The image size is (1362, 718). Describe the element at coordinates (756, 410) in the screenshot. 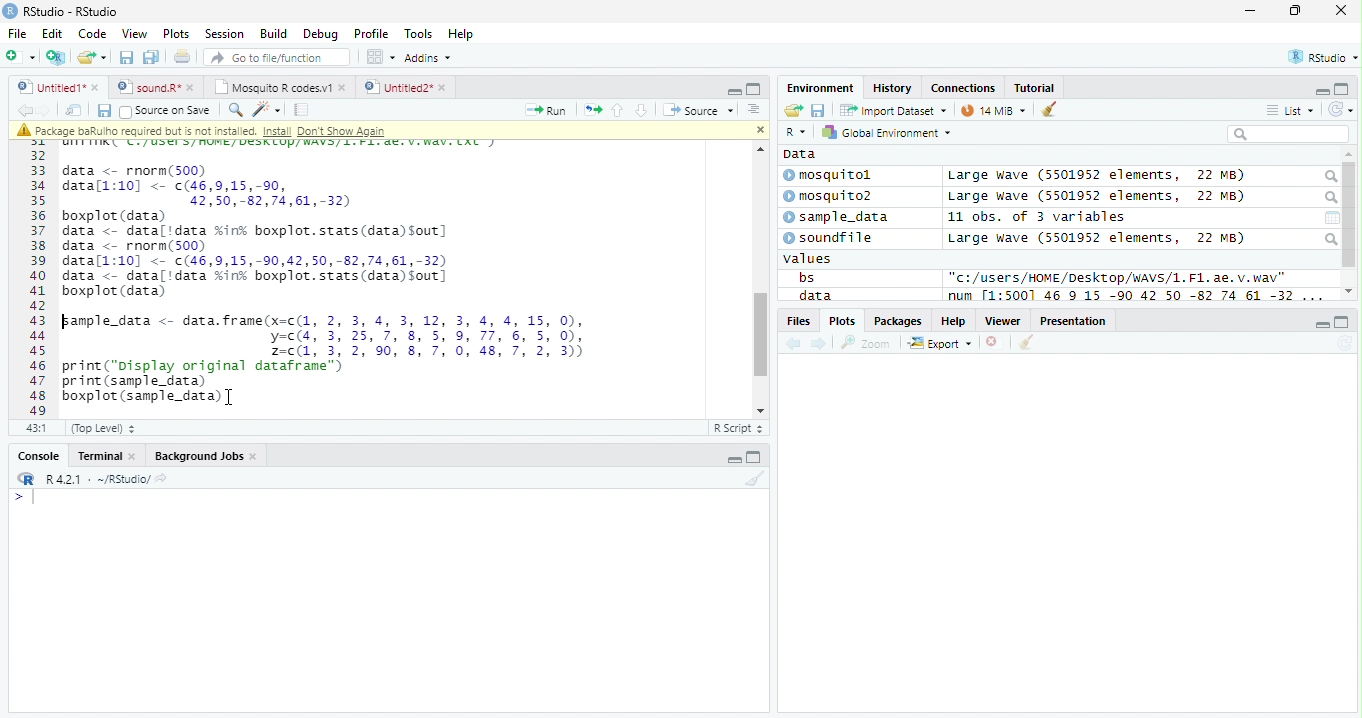

I see `scroll down` at that location.